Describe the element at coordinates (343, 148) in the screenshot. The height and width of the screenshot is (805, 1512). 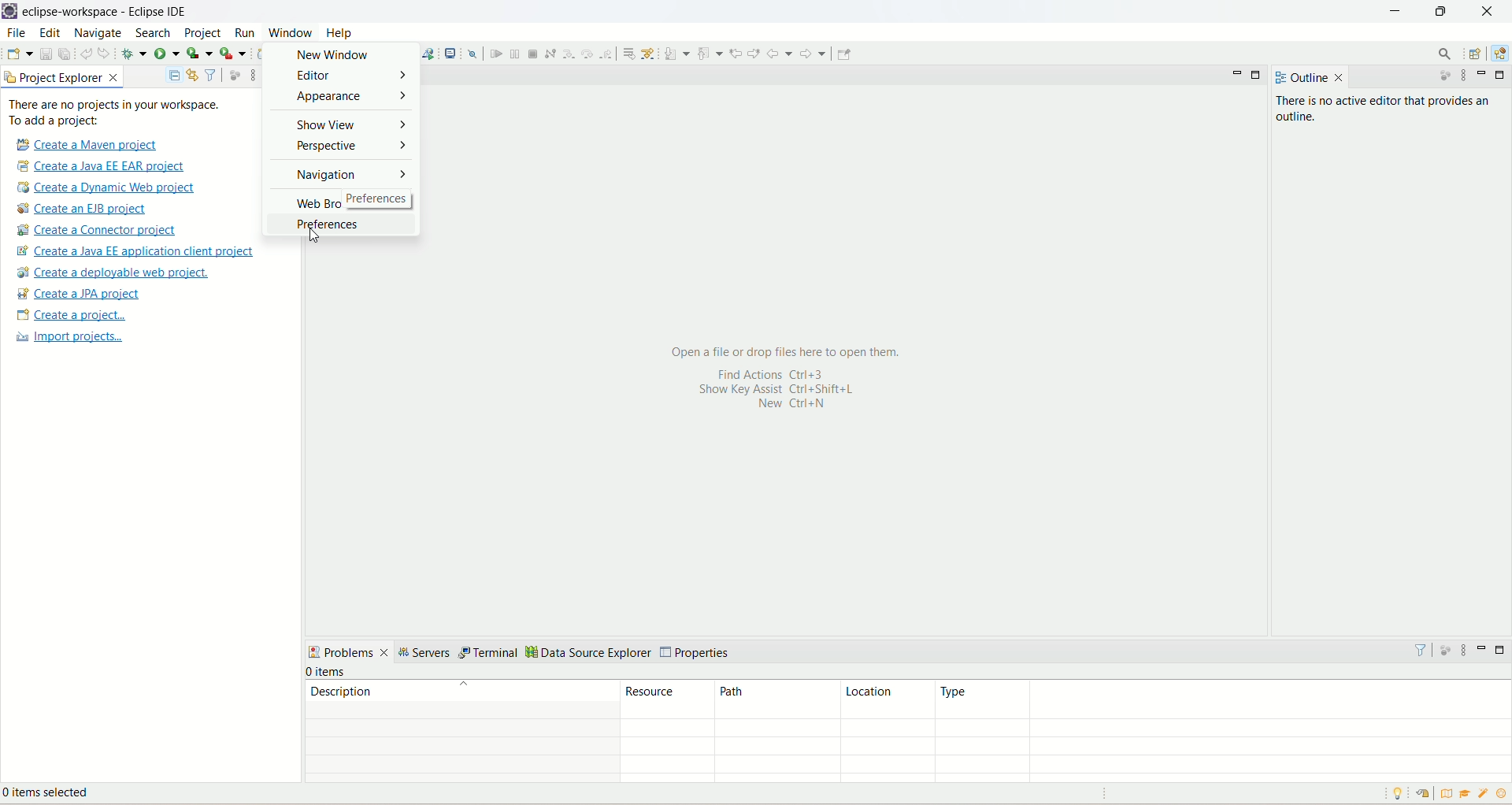
I see `perspective` at that location.